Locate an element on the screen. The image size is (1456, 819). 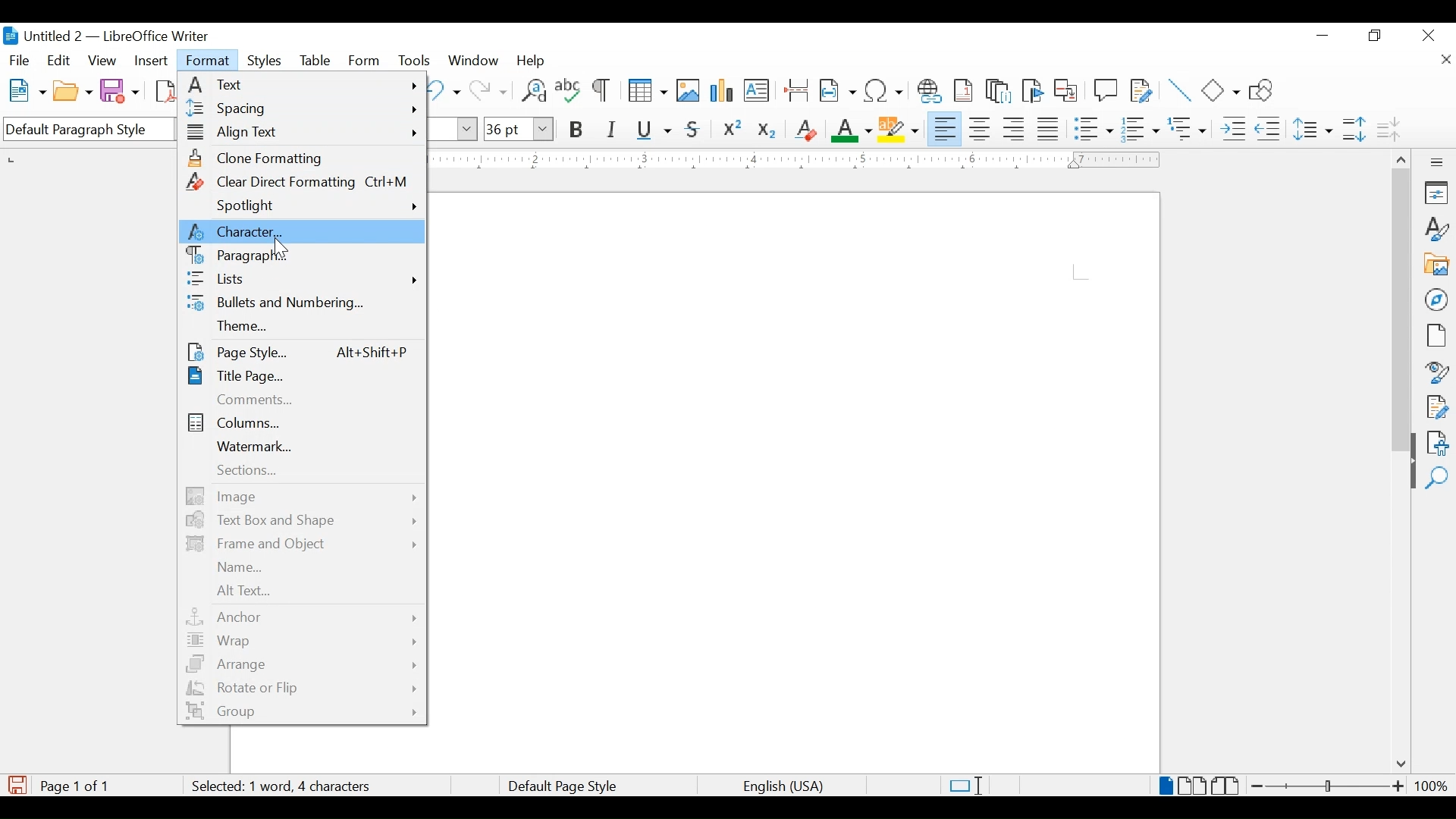
zoom slider is located at coordinates (1329, 786).